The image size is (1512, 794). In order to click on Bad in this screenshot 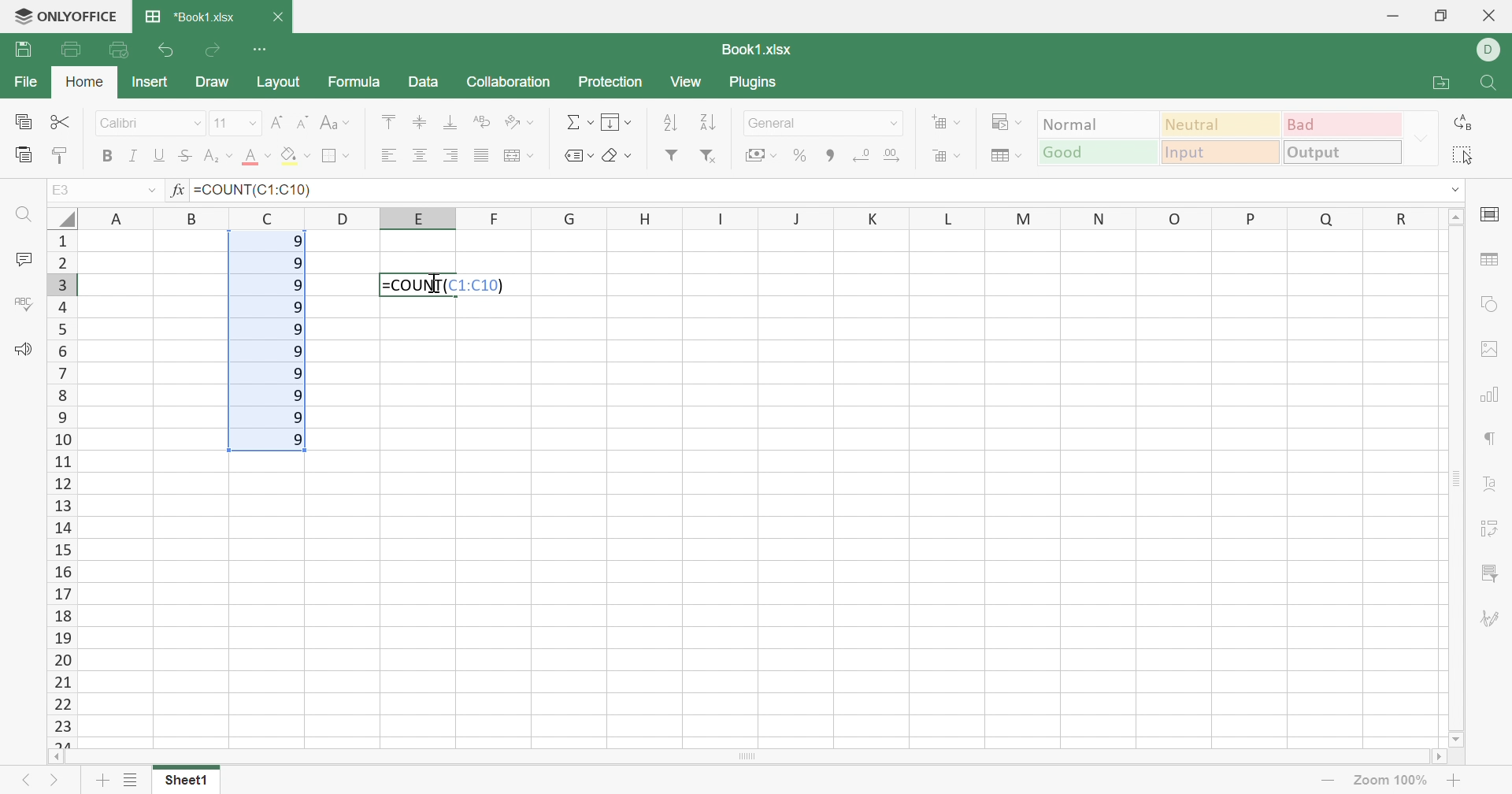, I will do `click(1340, 125)`.